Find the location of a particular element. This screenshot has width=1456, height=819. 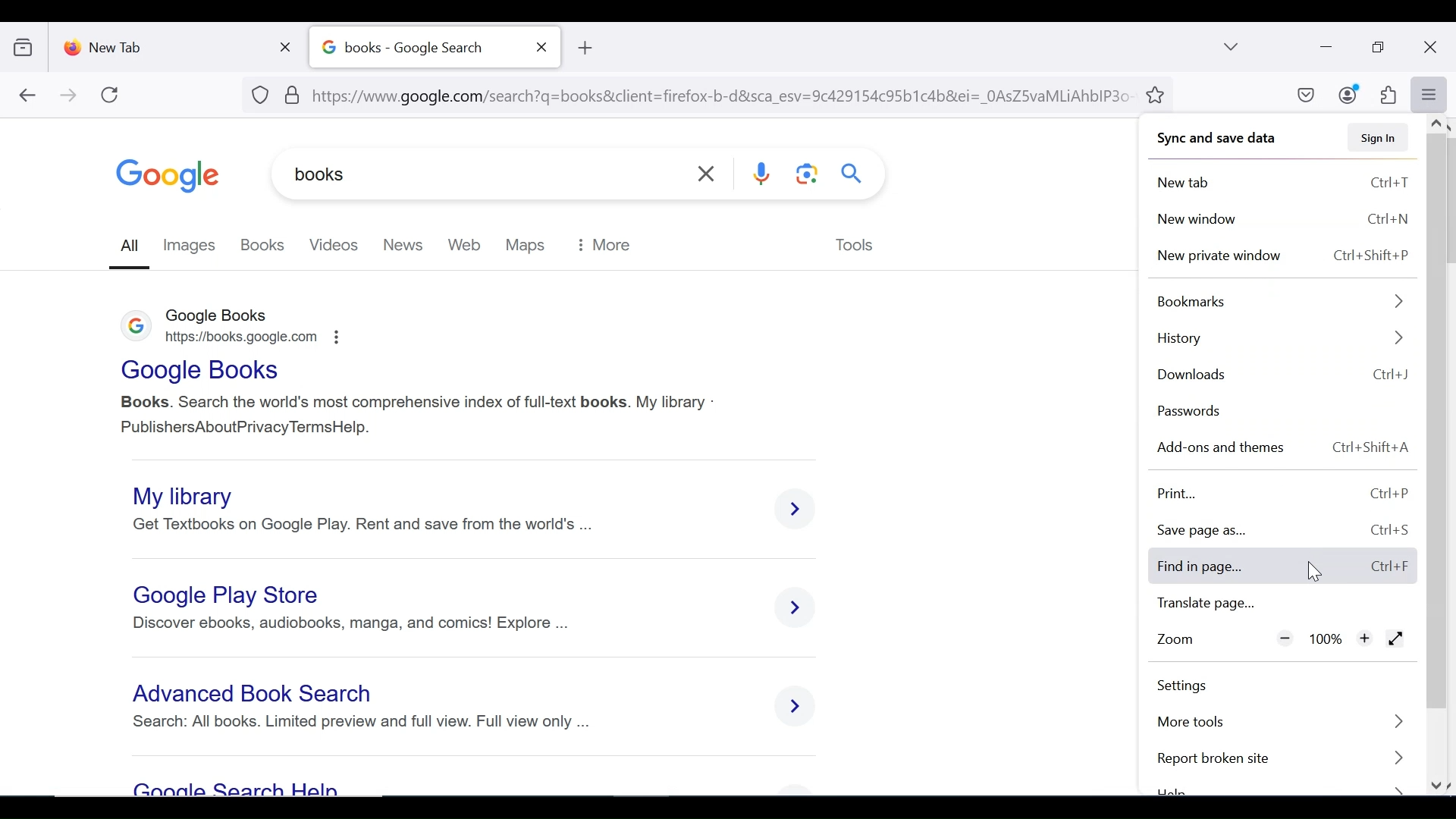

Books. Search the world's most comprehensive index of full-text books. My library -
PublishersAboutPrivacy TermsHelp. is located at coordinates (417, 416).